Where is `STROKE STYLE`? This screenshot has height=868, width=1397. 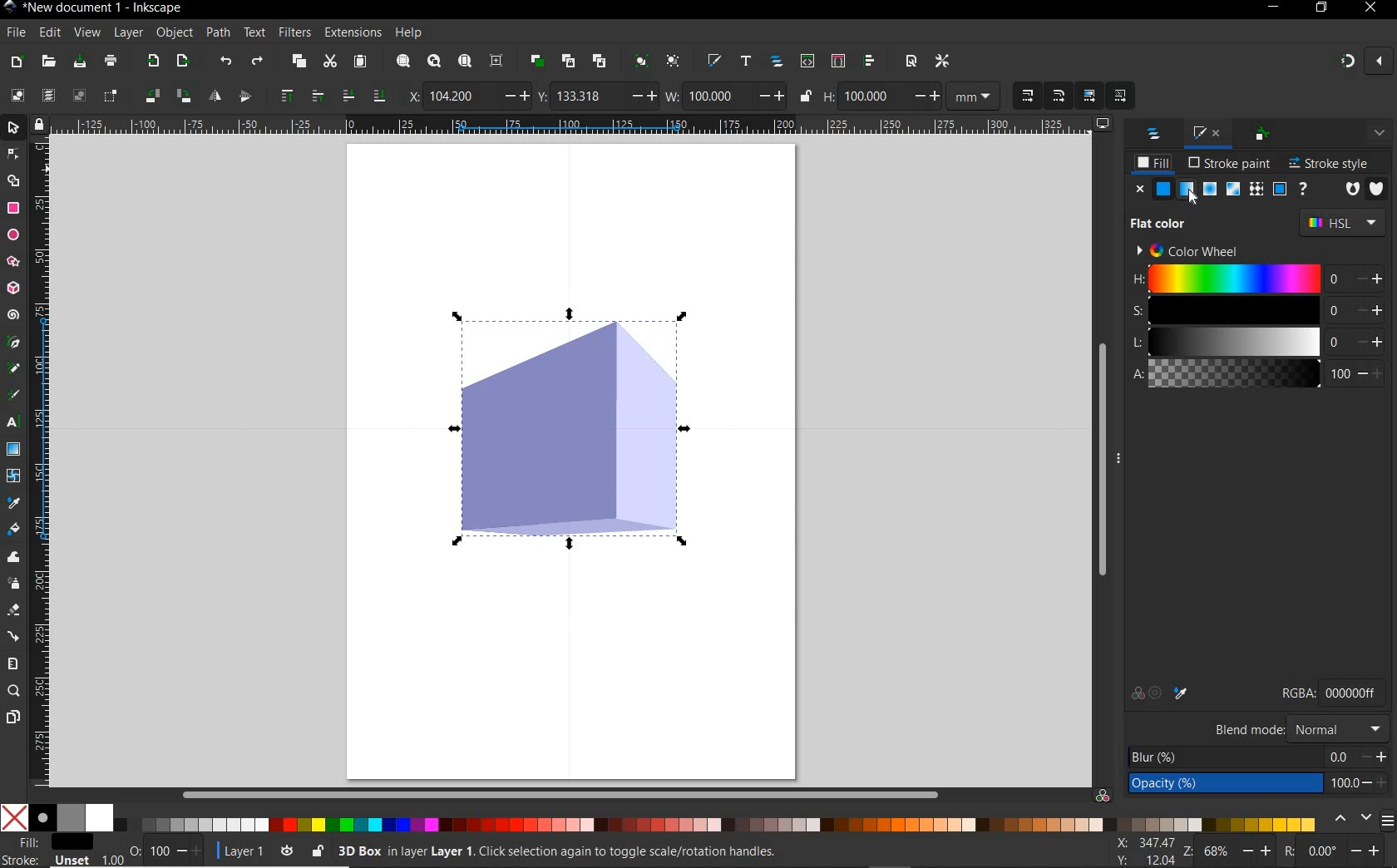
STROKE STYLE is located at coordinates (1330, 161).